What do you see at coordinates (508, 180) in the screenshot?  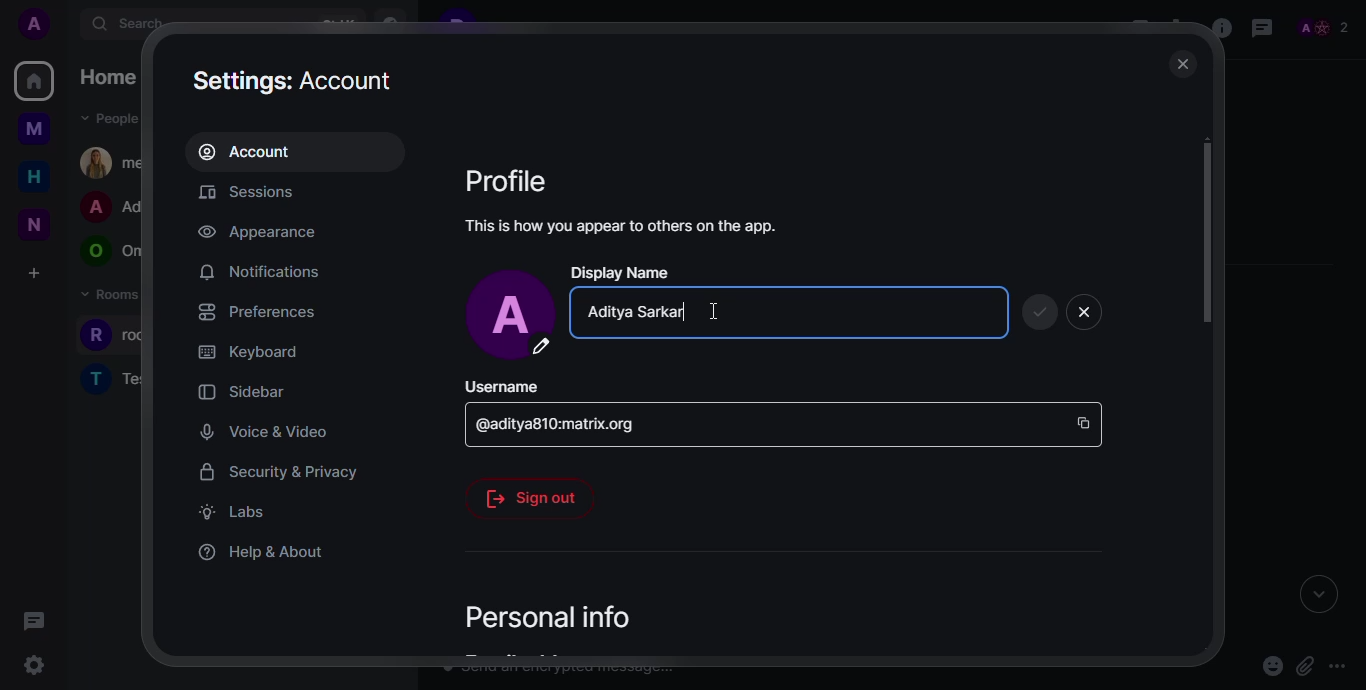 I see `profile` at bounding box center [508, 180].